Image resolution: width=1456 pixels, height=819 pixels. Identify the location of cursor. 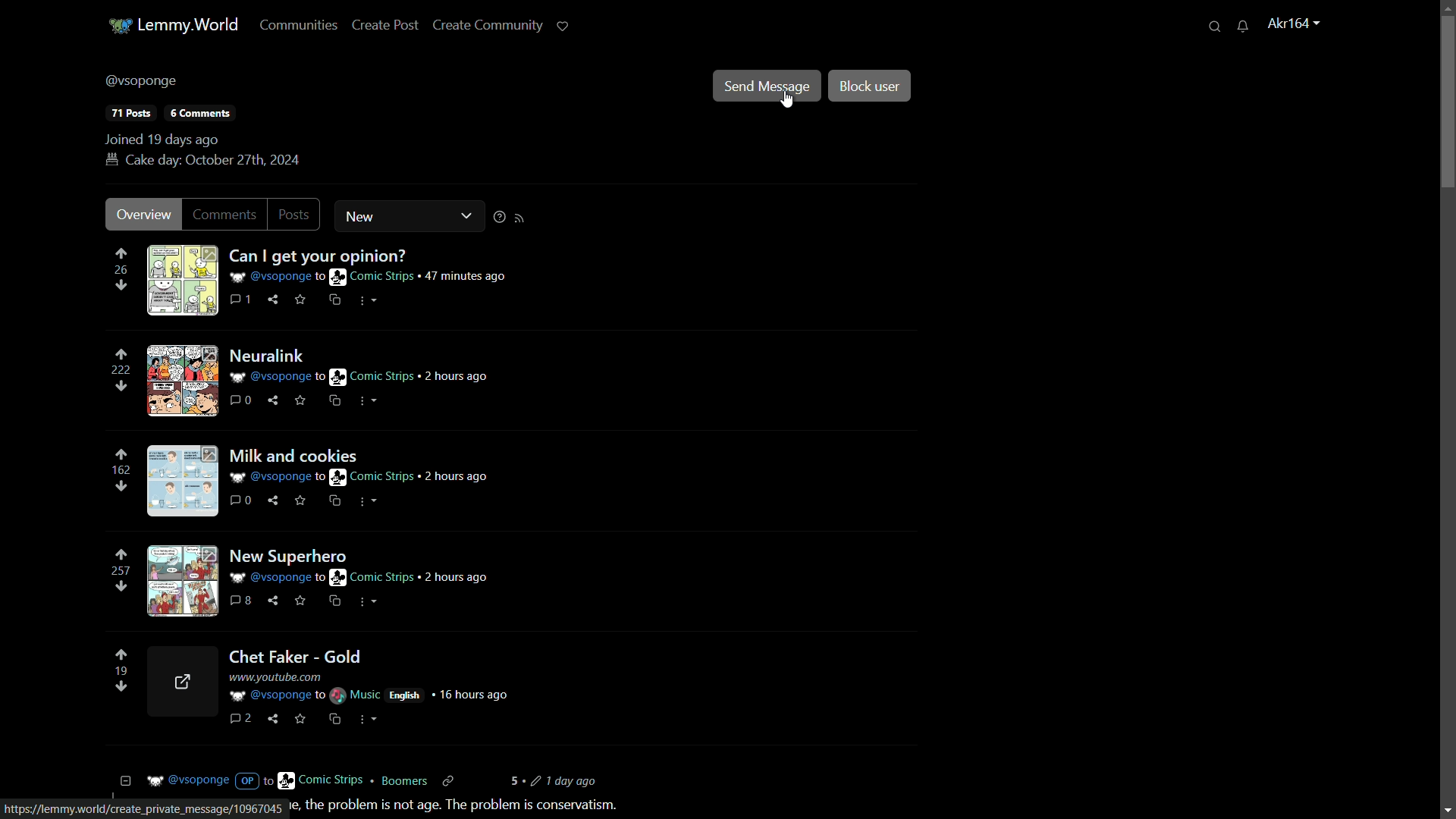
(786, 99).